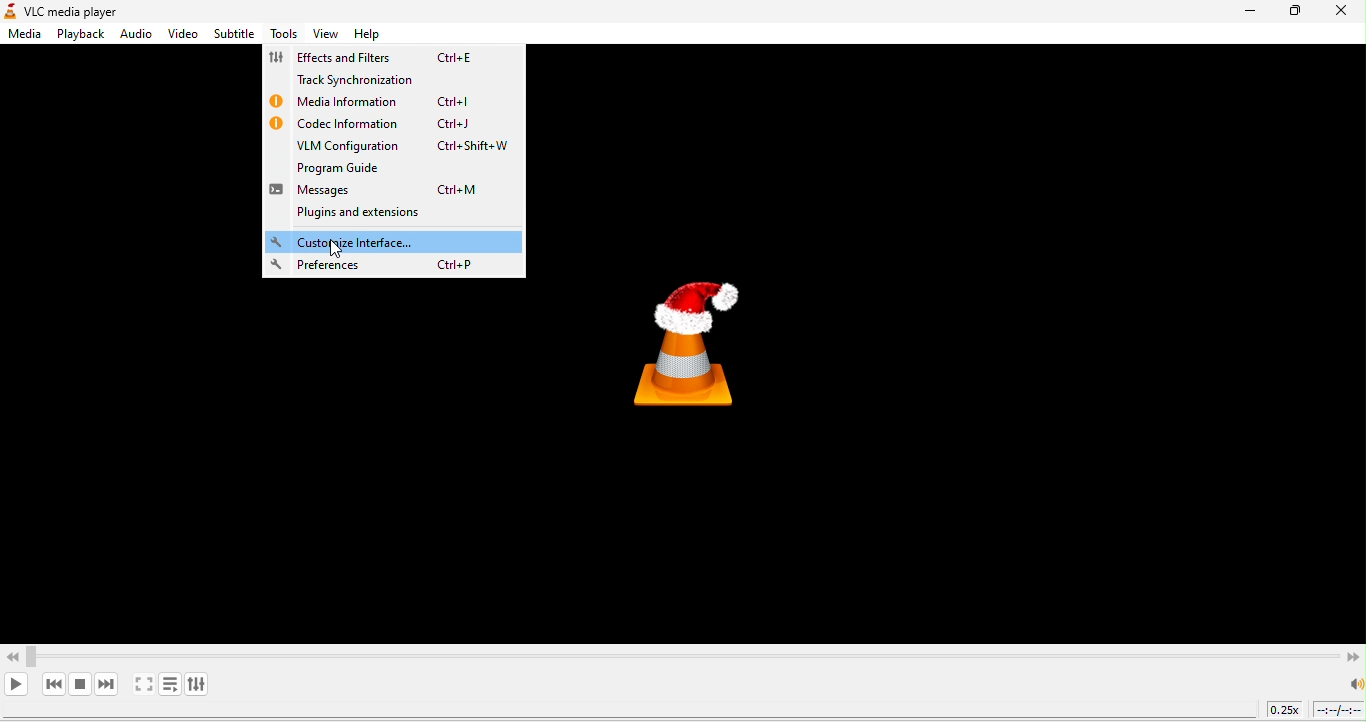 This screenshot has height=722, width=1366. What do you see at coordinates (1285, 712) in the screenshot?
I see `playback speed` at bounding box center [1285, 712].